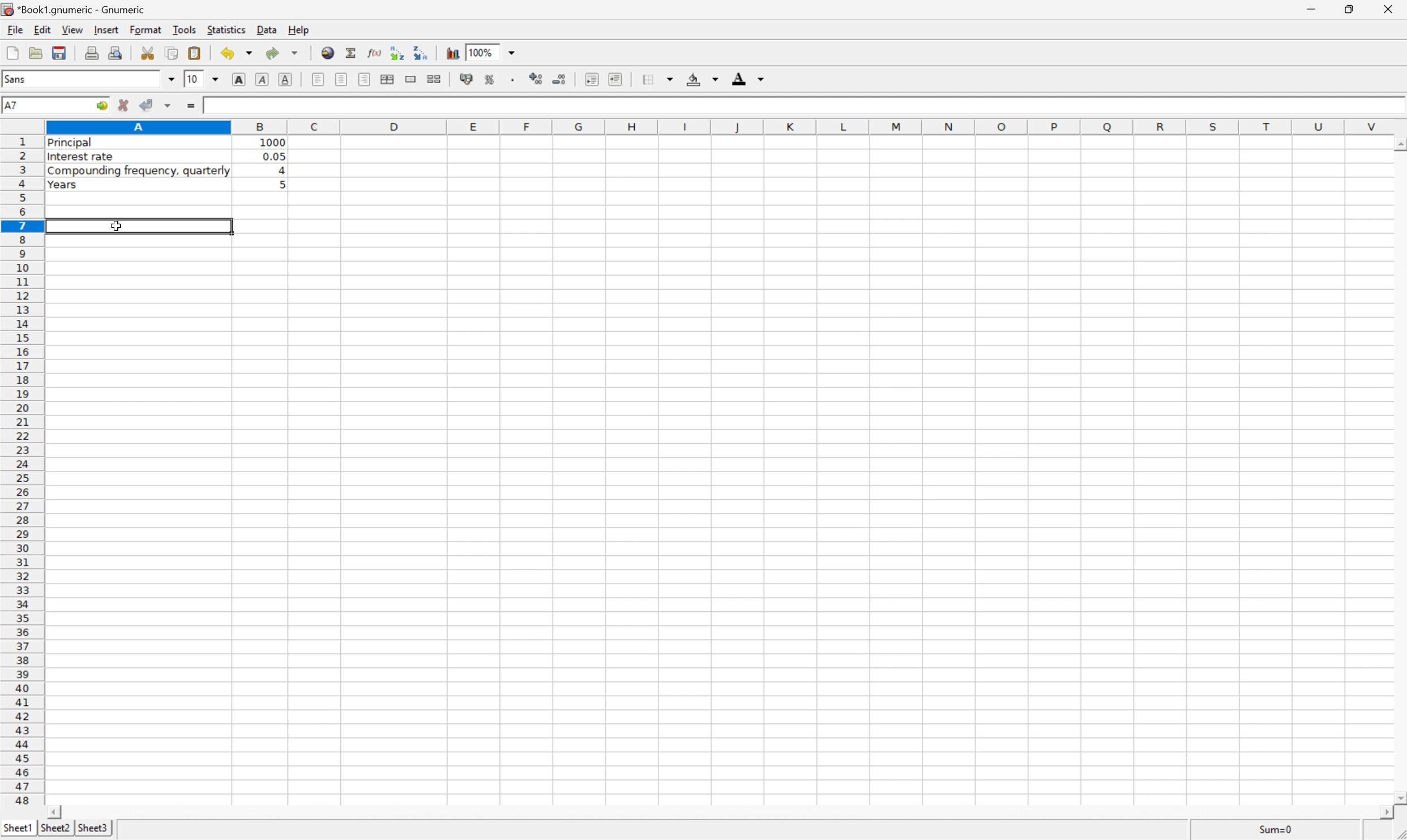 The height and width of the screenshot is (840, 1407). I want to click on data, so click(266, 31).